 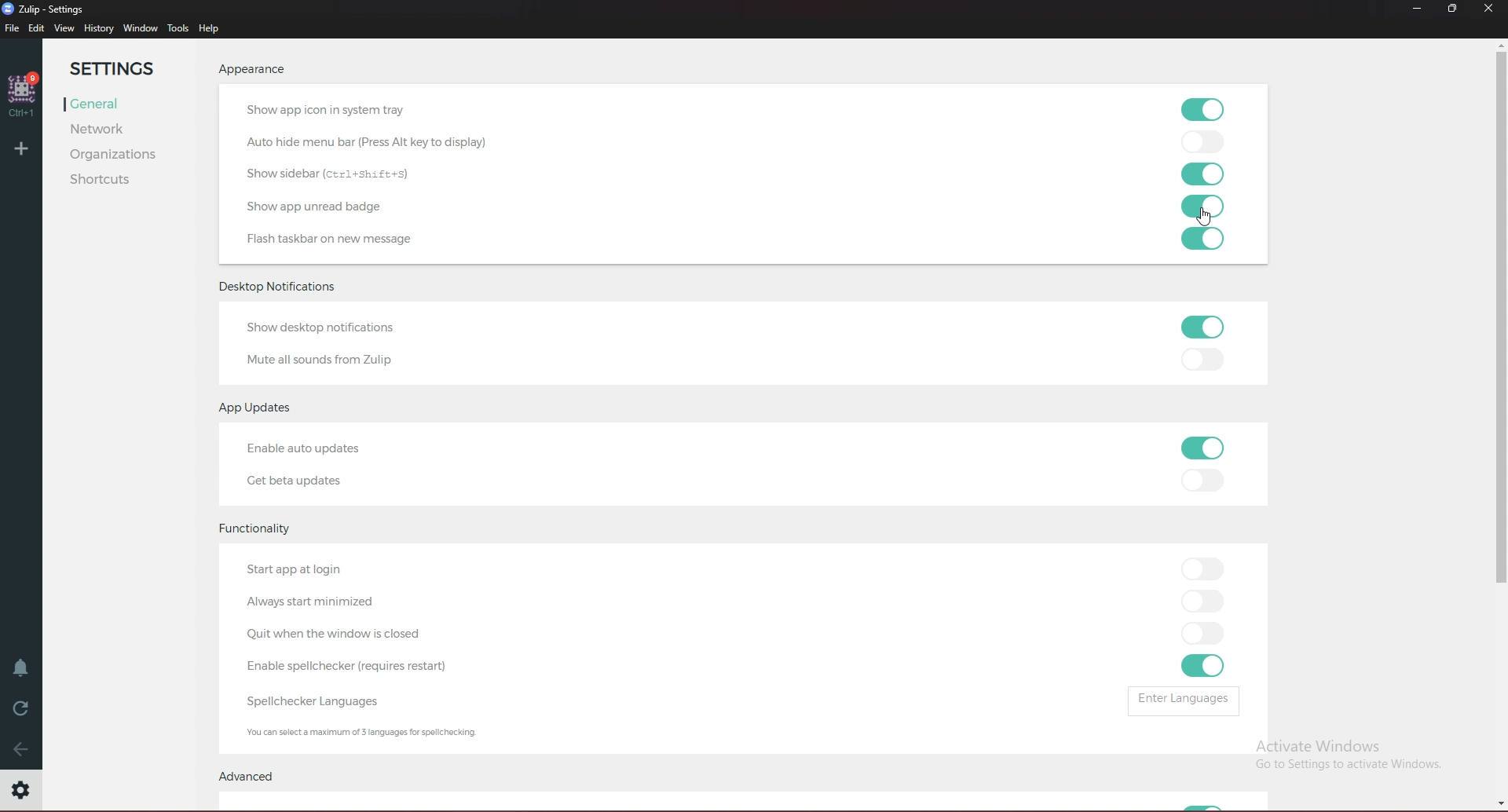 What do you see at coordinates (262, 409) in the screenshot?
I see `App updates` at bounding box center [262, 409].